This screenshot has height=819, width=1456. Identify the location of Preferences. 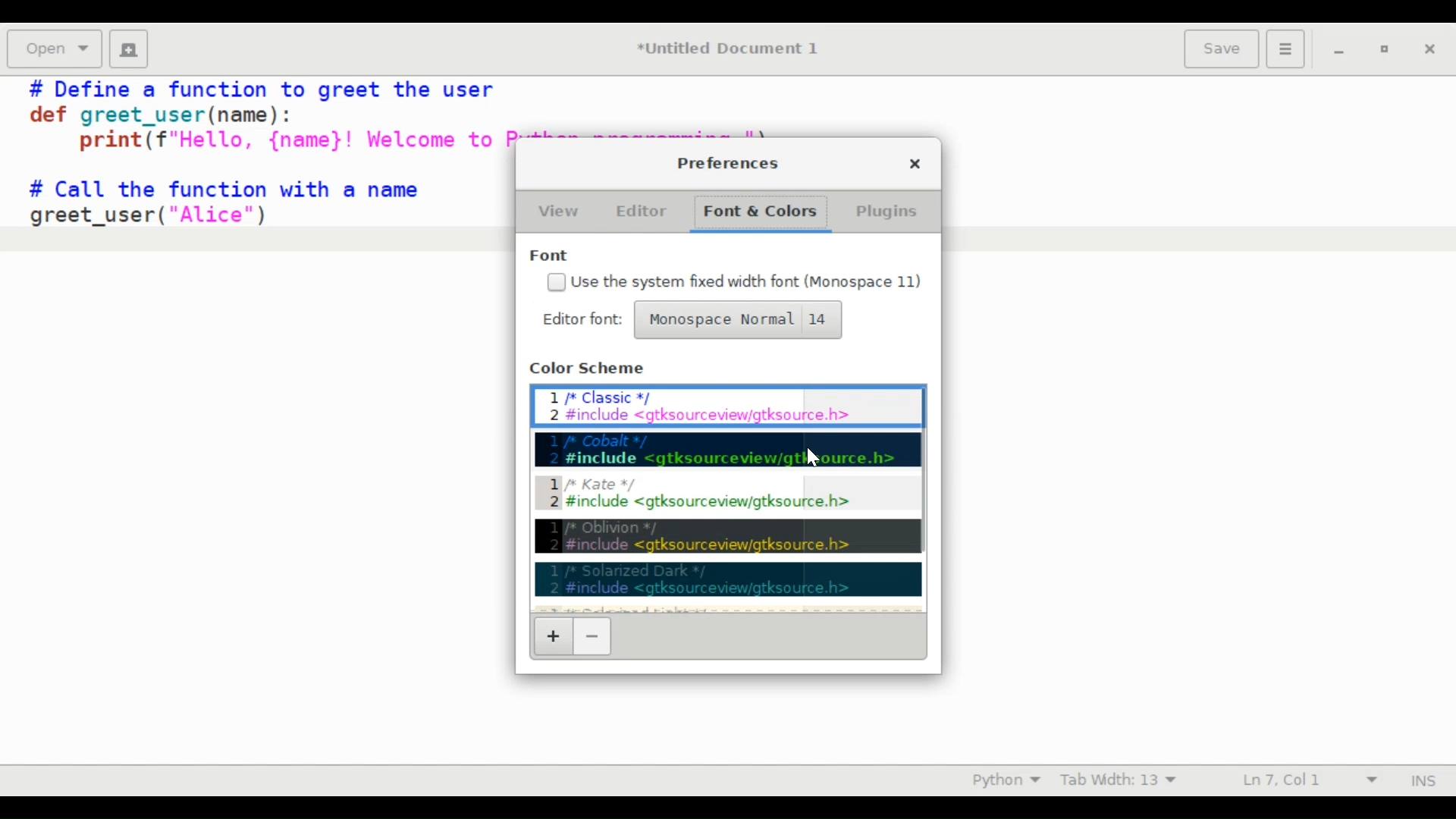
(1288, 48).